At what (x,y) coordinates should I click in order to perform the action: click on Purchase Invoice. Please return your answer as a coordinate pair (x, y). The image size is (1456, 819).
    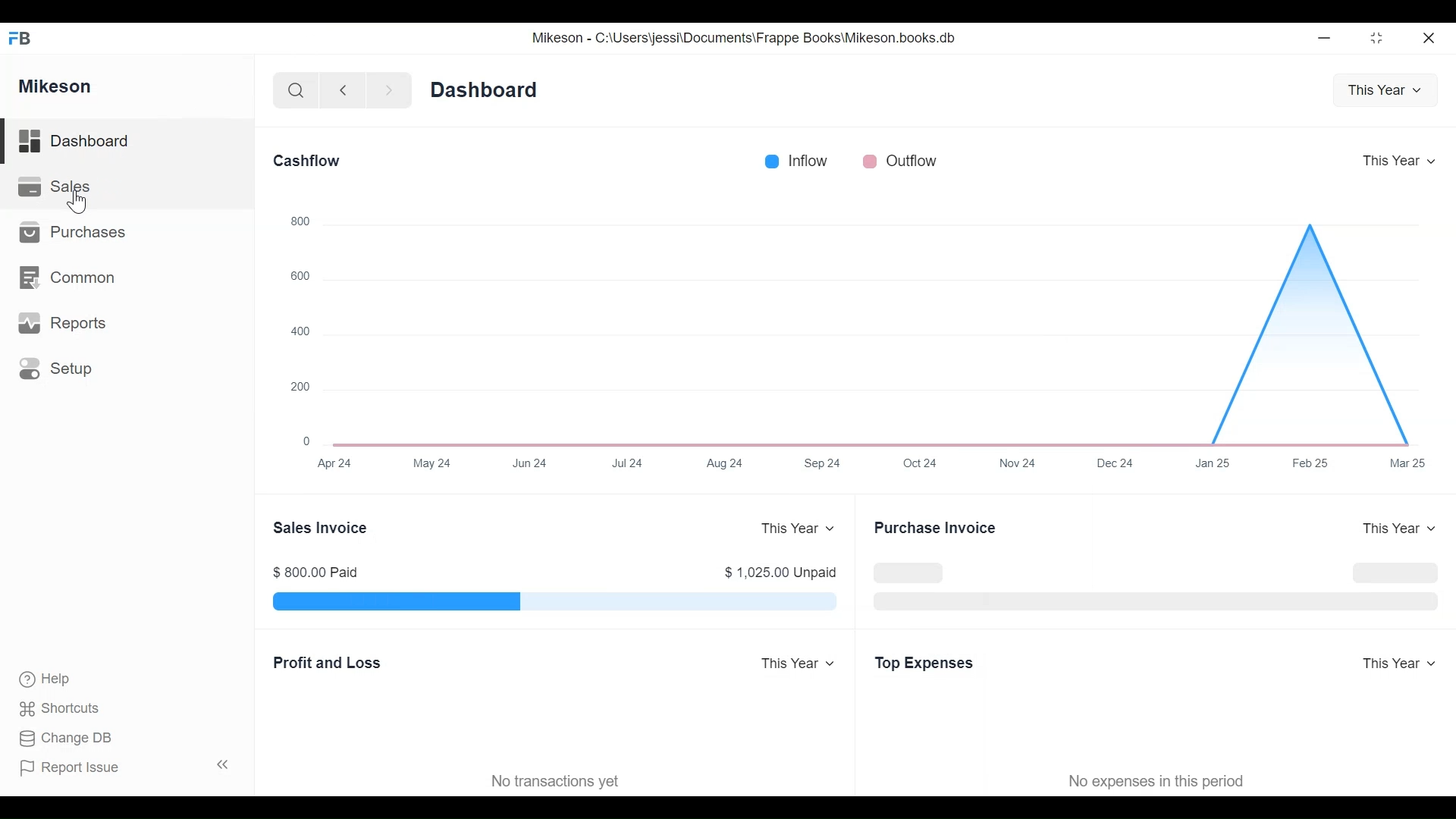
    Looking at the image, I should click on (937, 529).